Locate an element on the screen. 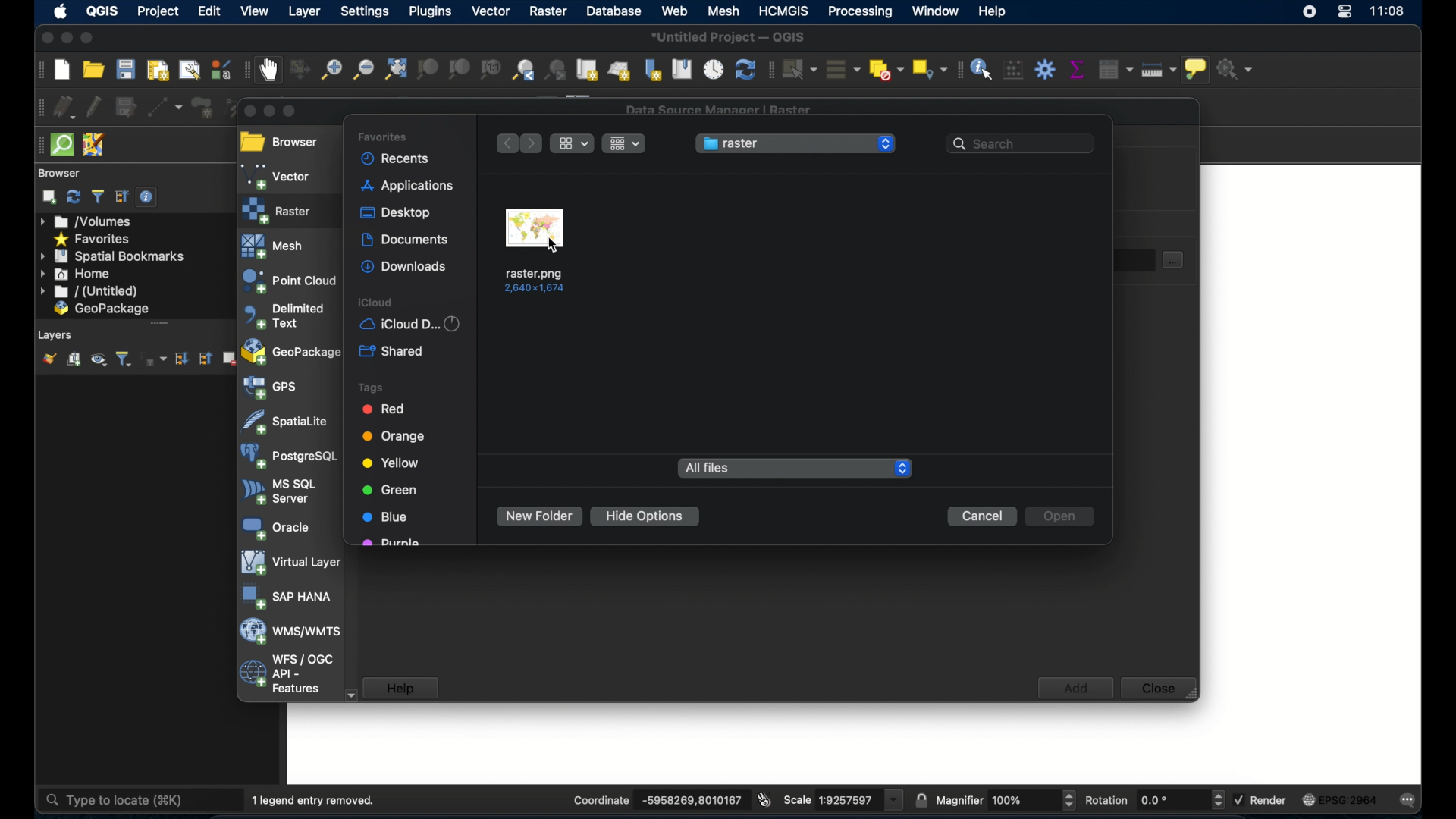 The height and width of the screenshot is (819, 1456). 1 legend entry removed is located at coordinates (318, 799).